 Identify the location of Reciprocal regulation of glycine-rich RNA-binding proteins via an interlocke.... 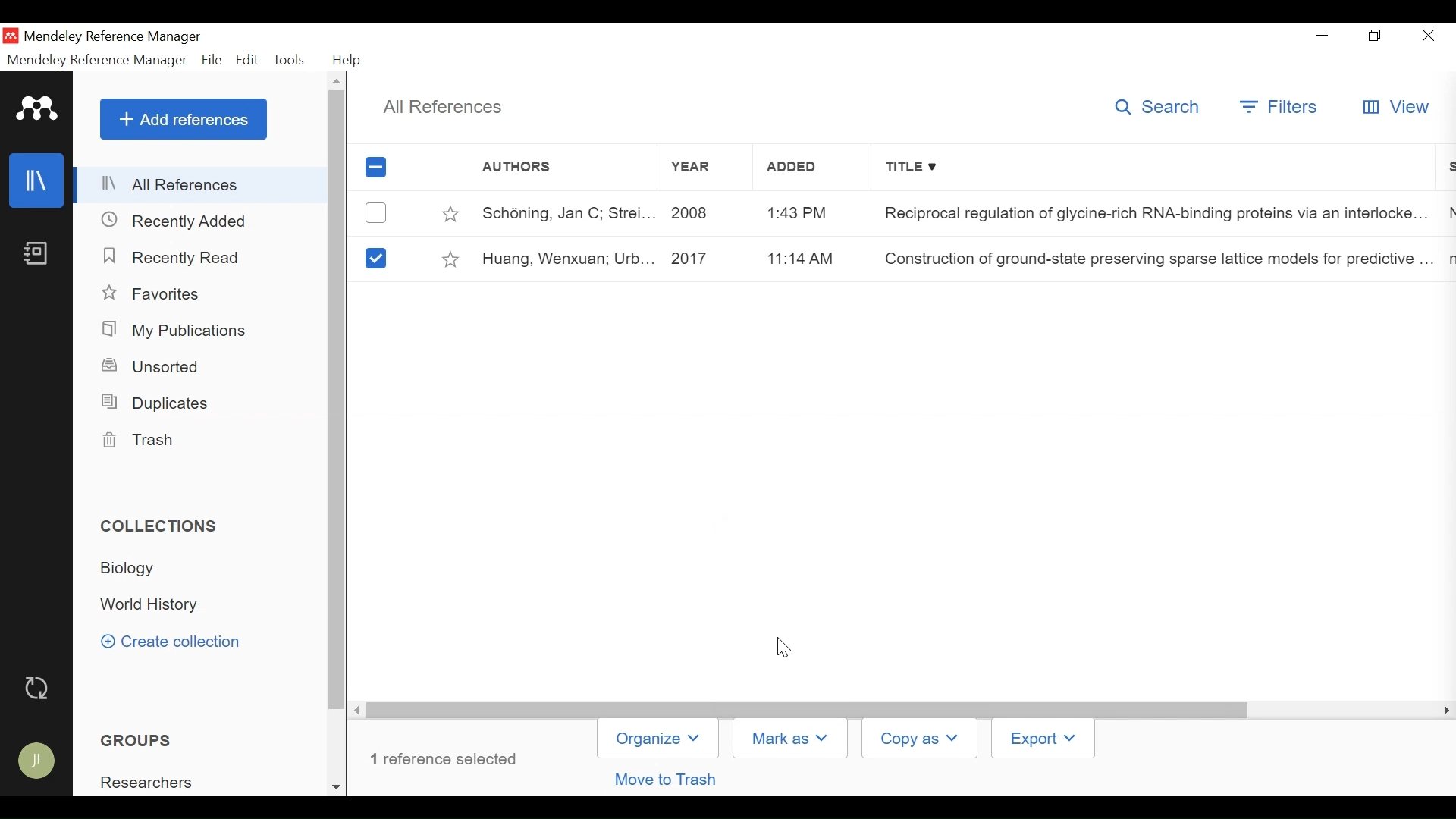
(1150, 215).